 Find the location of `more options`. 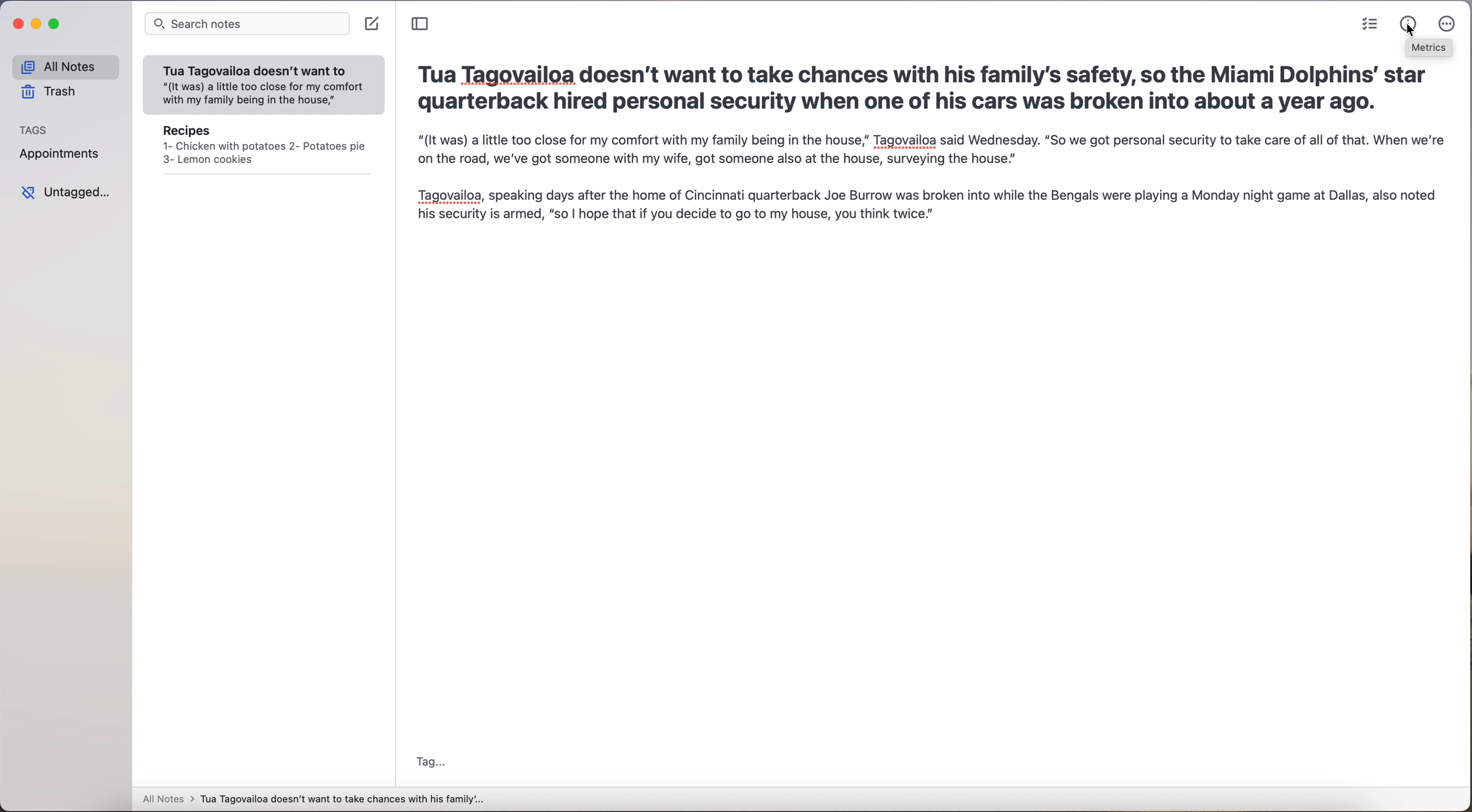

more options is located at coordinates (1447, 24).